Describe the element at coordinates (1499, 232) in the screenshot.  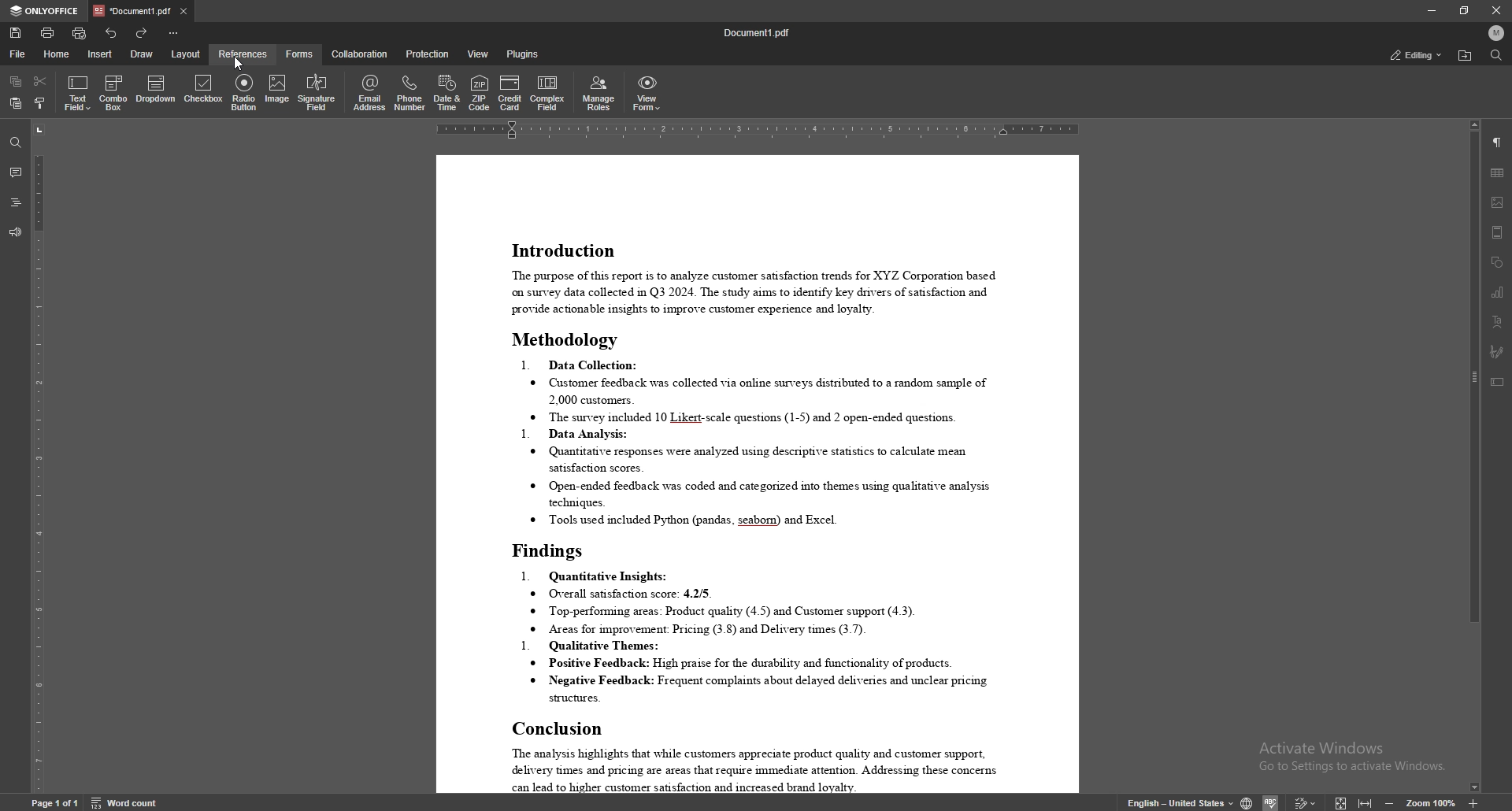
I see `header/footer` at that location.